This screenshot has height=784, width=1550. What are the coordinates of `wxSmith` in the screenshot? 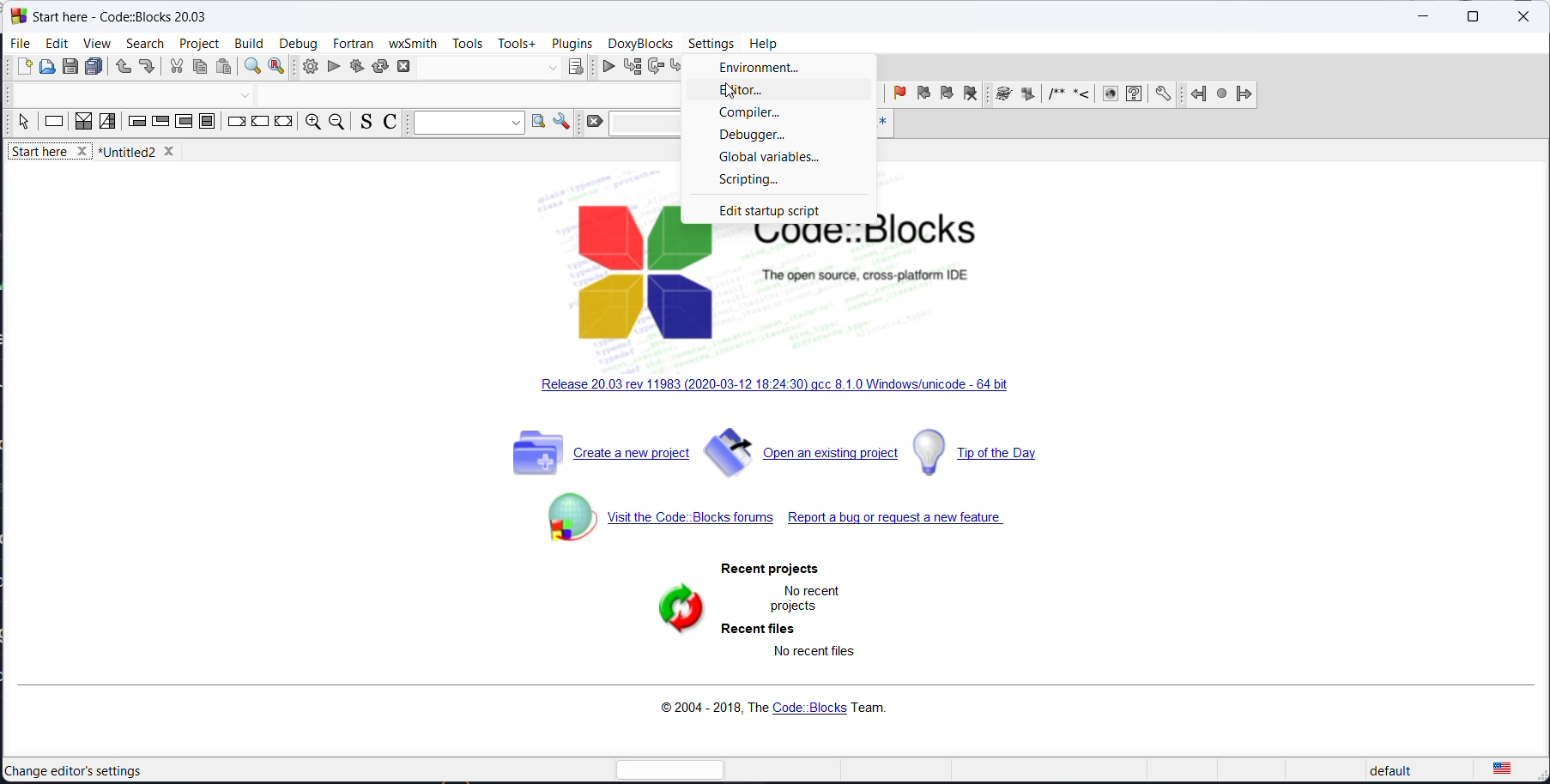 It's located at (412, 43).